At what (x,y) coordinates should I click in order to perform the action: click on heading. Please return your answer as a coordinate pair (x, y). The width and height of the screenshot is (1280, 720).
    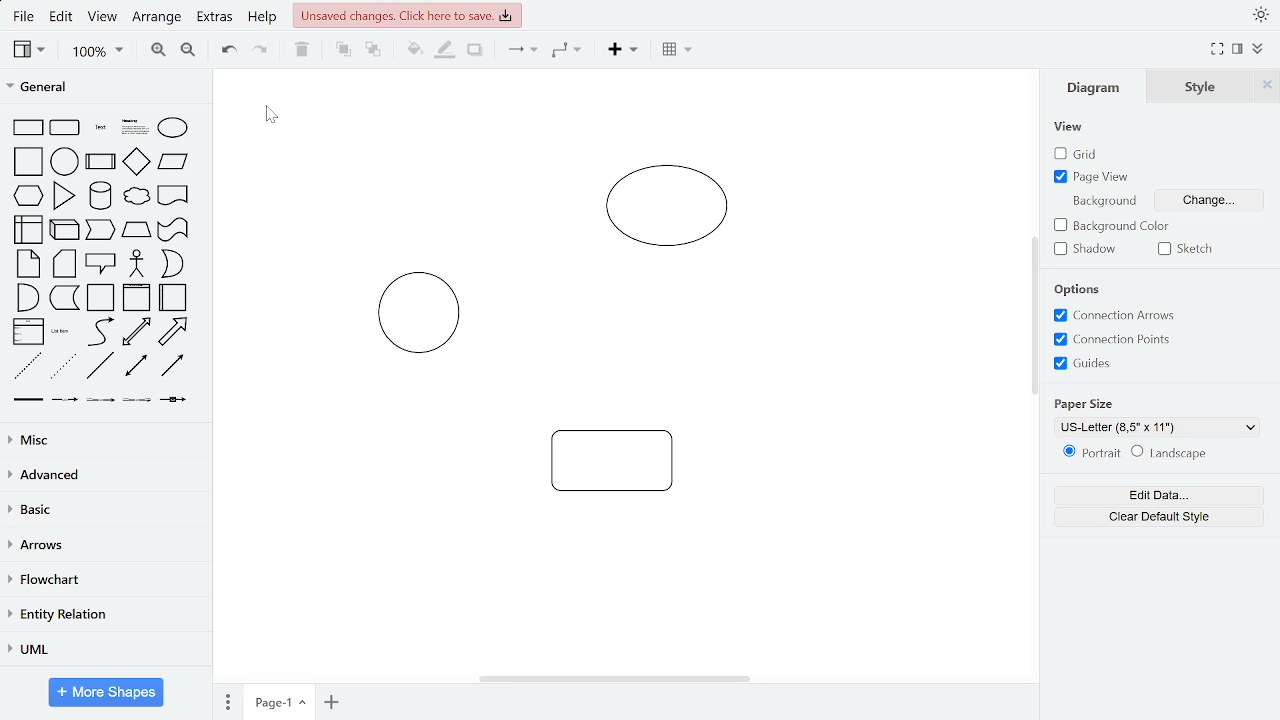
    Looking at the image, I should click on (134, 128).